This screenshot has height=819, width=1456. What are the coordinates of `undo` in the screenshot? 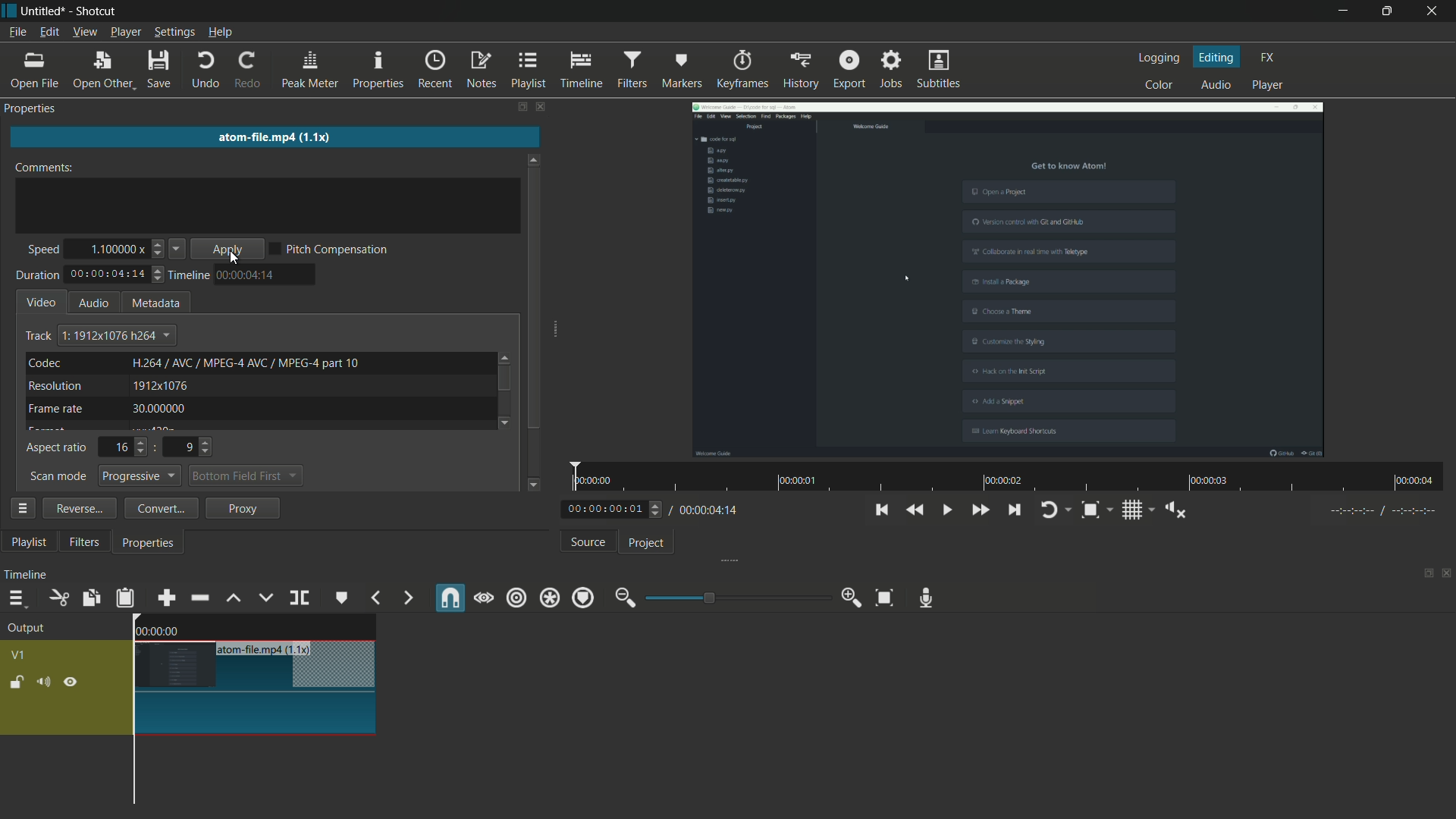 It's located at (203, 71).